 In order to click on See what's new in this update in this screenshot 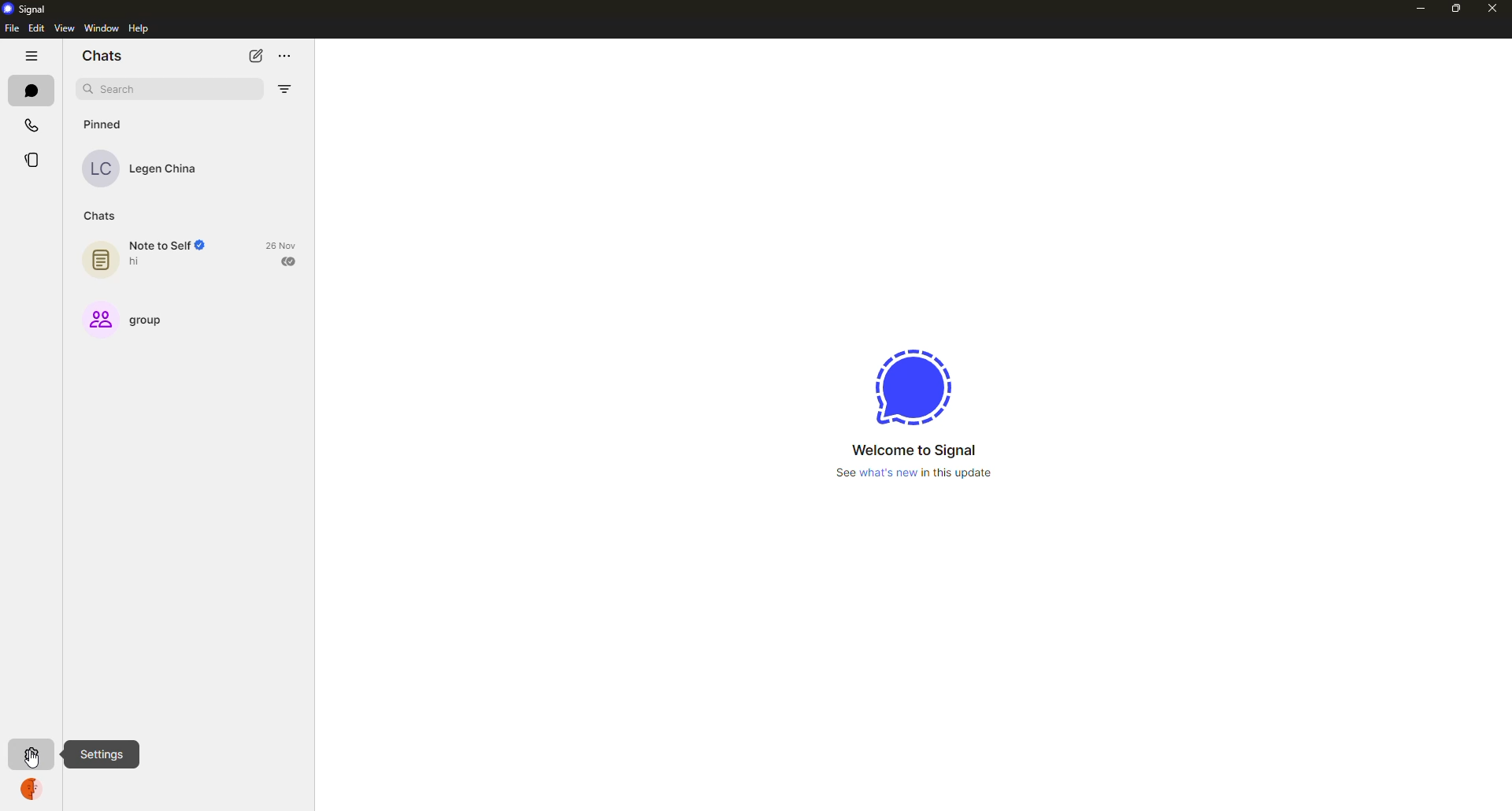, I will do `click(921, 473)`.